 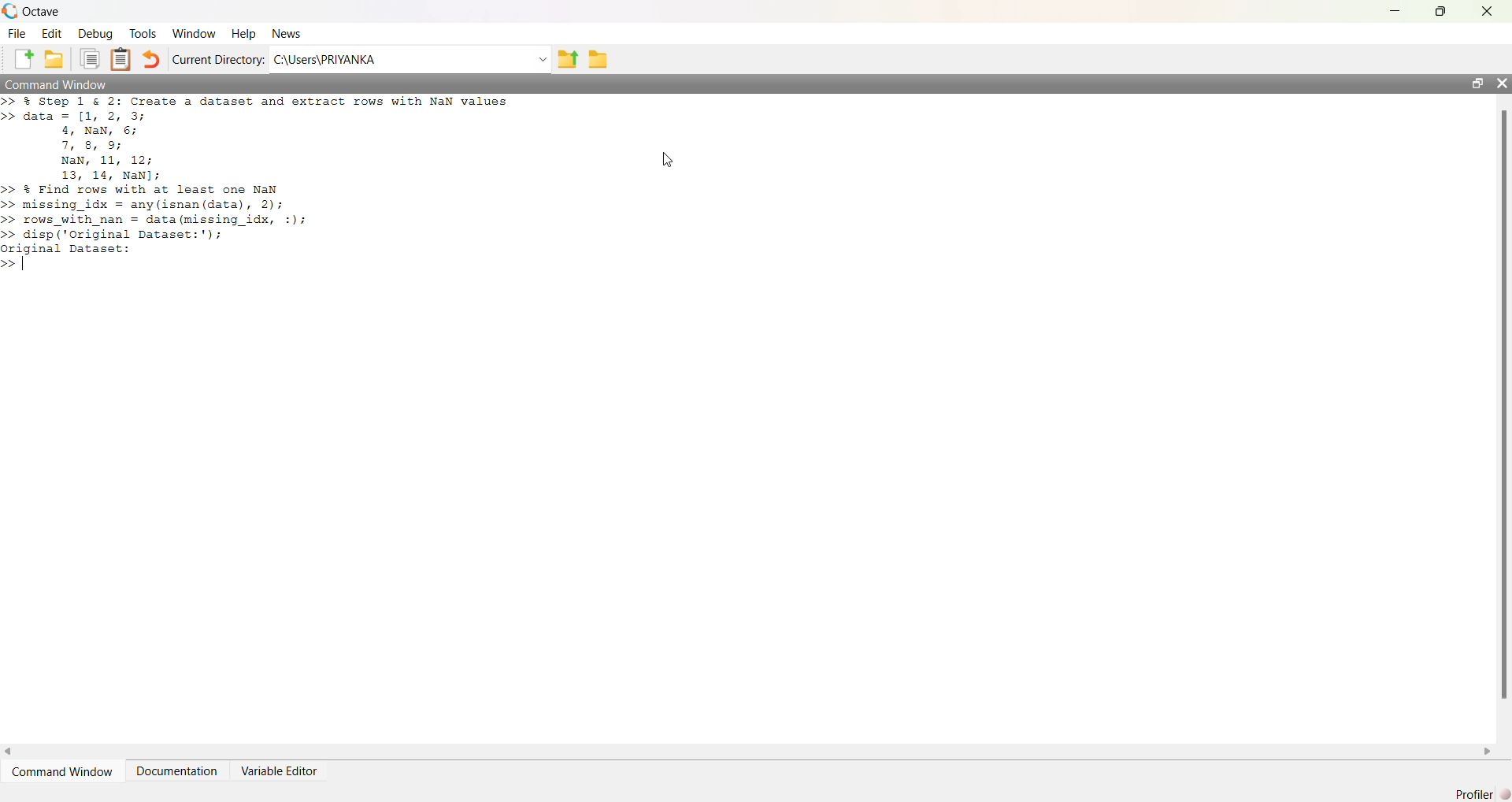 What do you see at coordinates (1482, 794) in the screenshot?
I see `Profiler` at bounding box center [1482, 794].